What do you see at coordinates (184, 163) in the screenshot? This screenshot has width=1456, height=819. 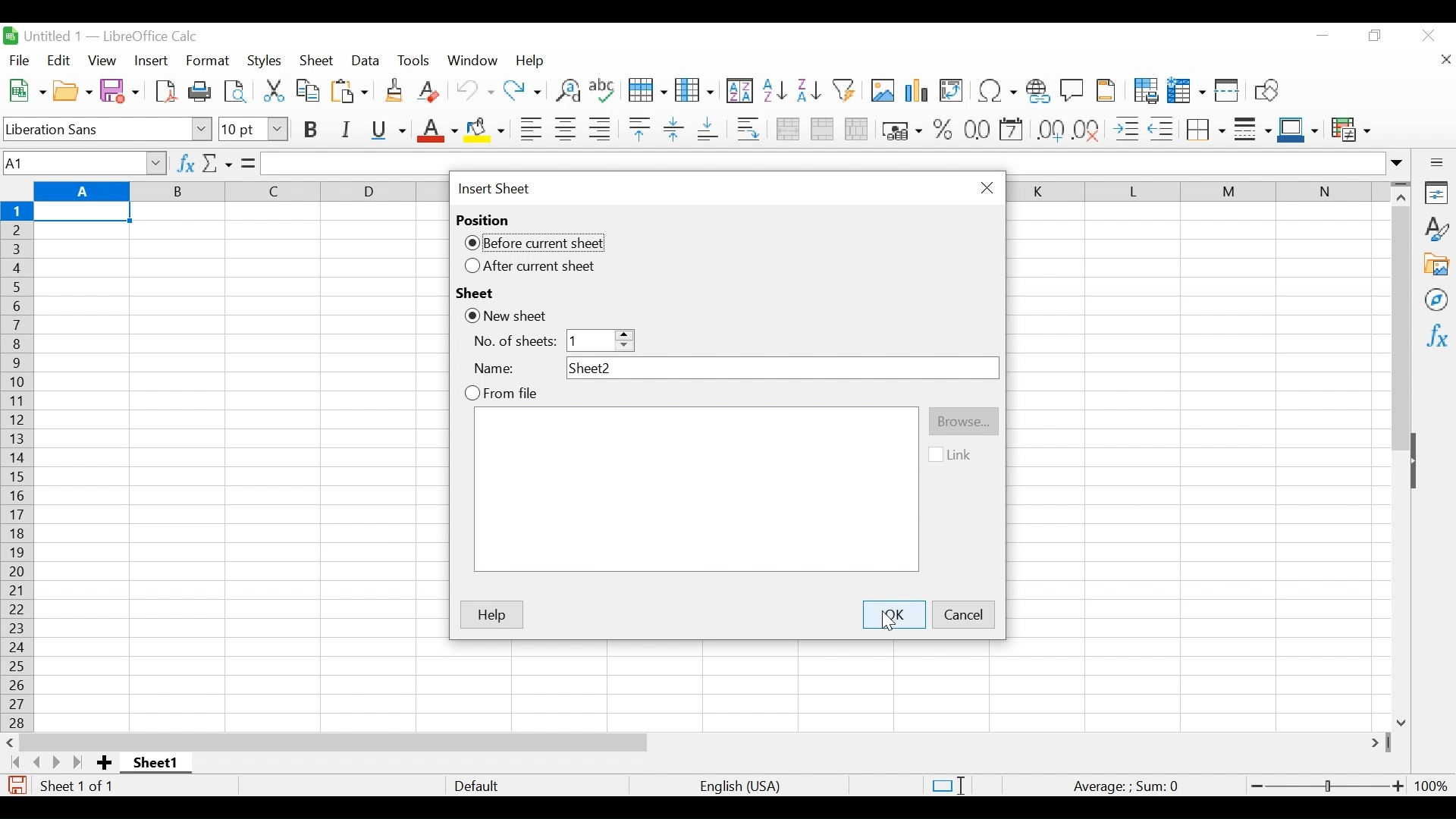 I see `Function Wizard` at bounding box center [184, 163].